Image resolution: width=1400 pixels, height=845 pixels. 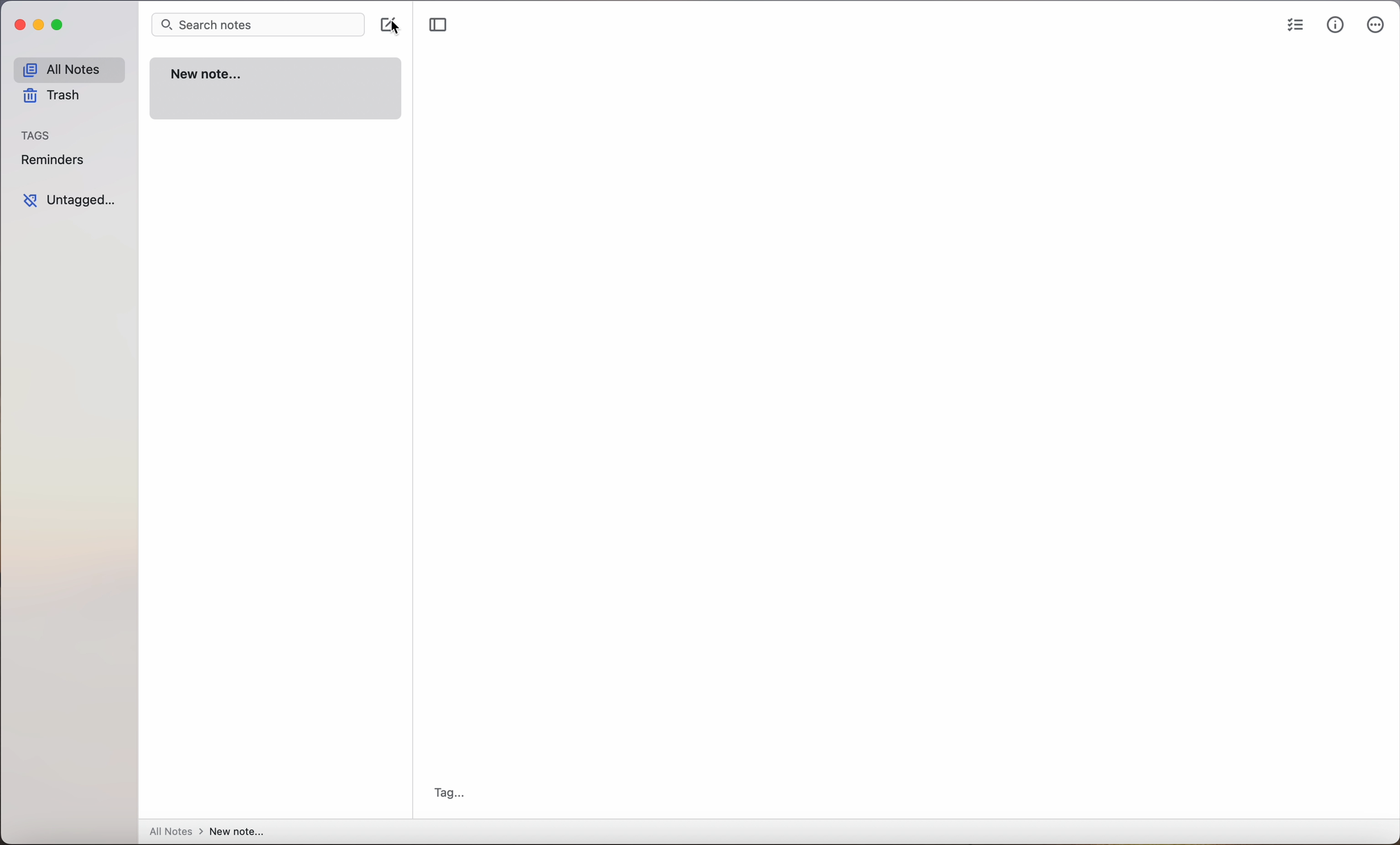 I want to click on trash, so click(x=50, y=98).